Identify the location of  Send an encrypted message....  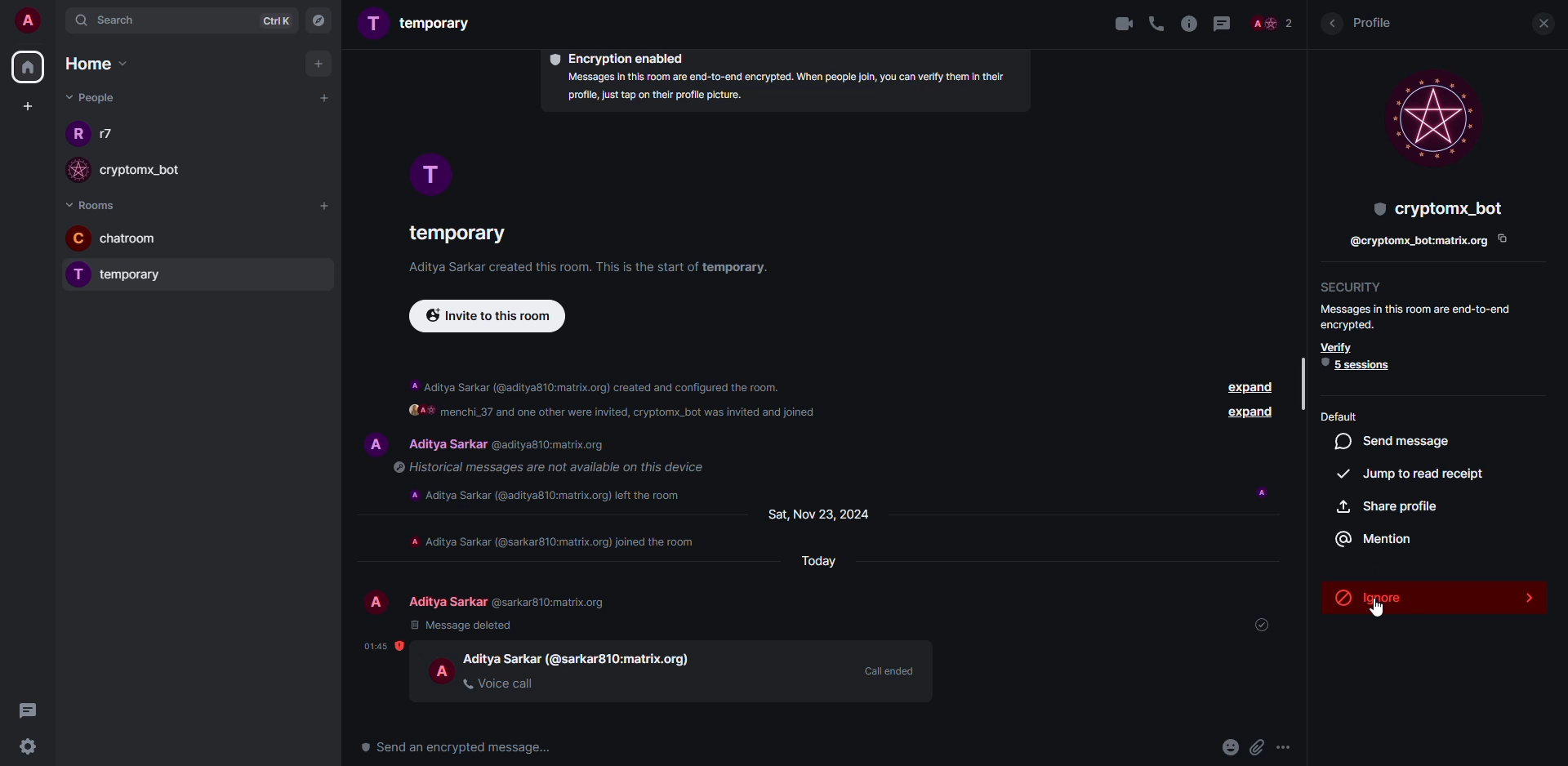
(457, 748).